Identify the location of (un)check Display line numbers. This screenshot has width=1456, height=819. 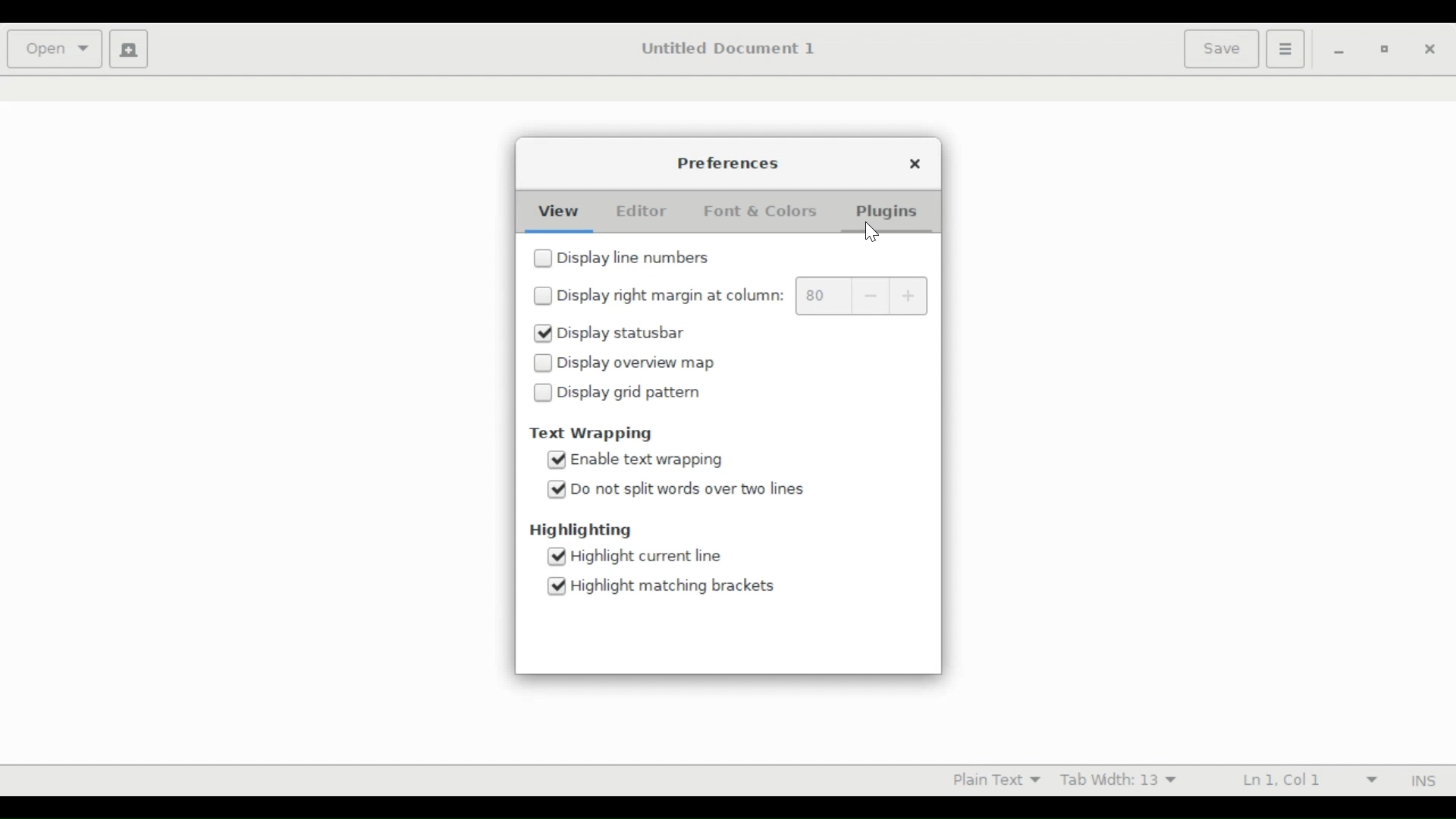
(639, 258).